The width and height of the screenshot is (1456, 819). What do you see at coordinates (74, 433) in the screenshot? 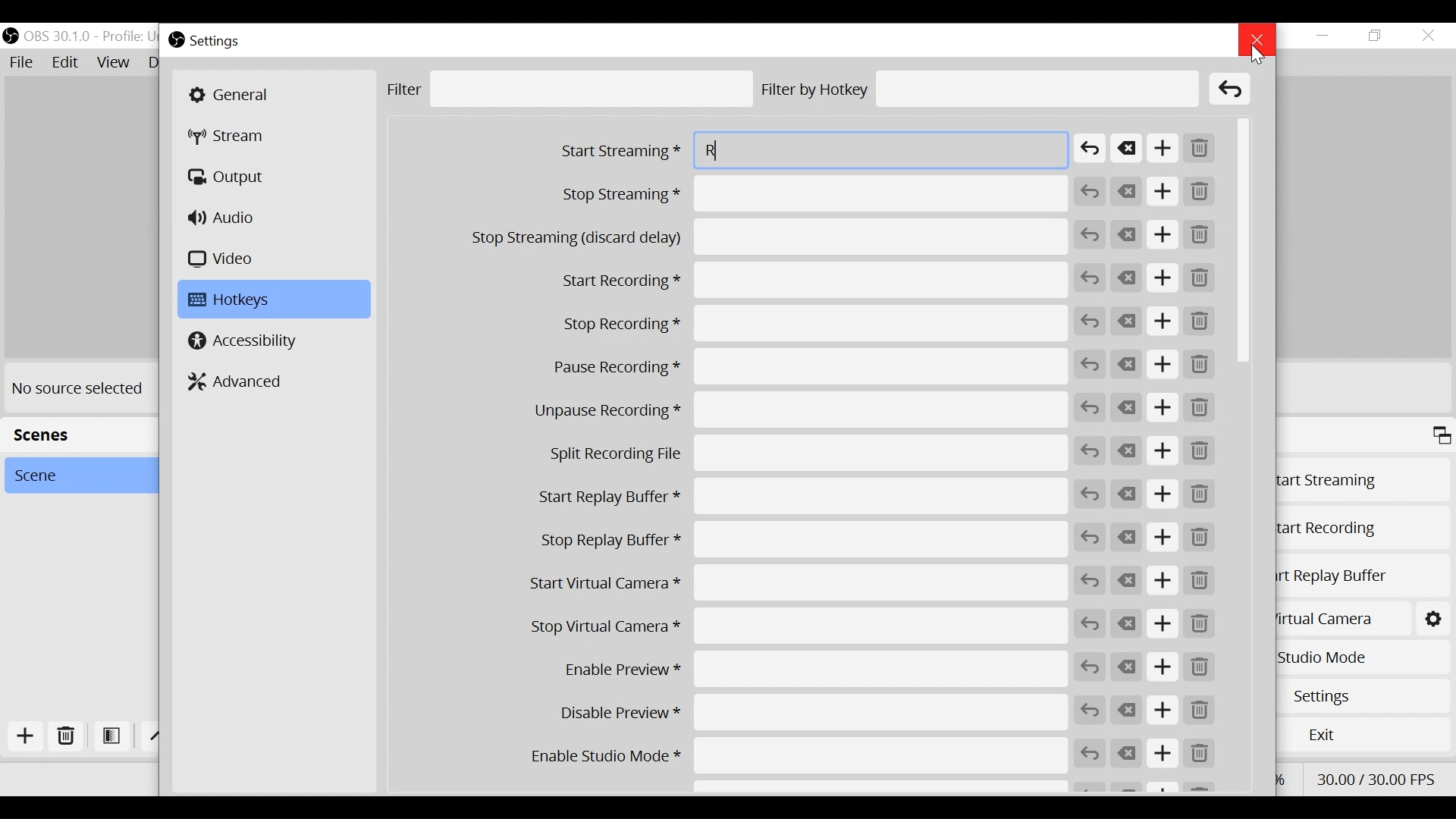
I see `Scenes Panel` at bounding box center [74, 433].